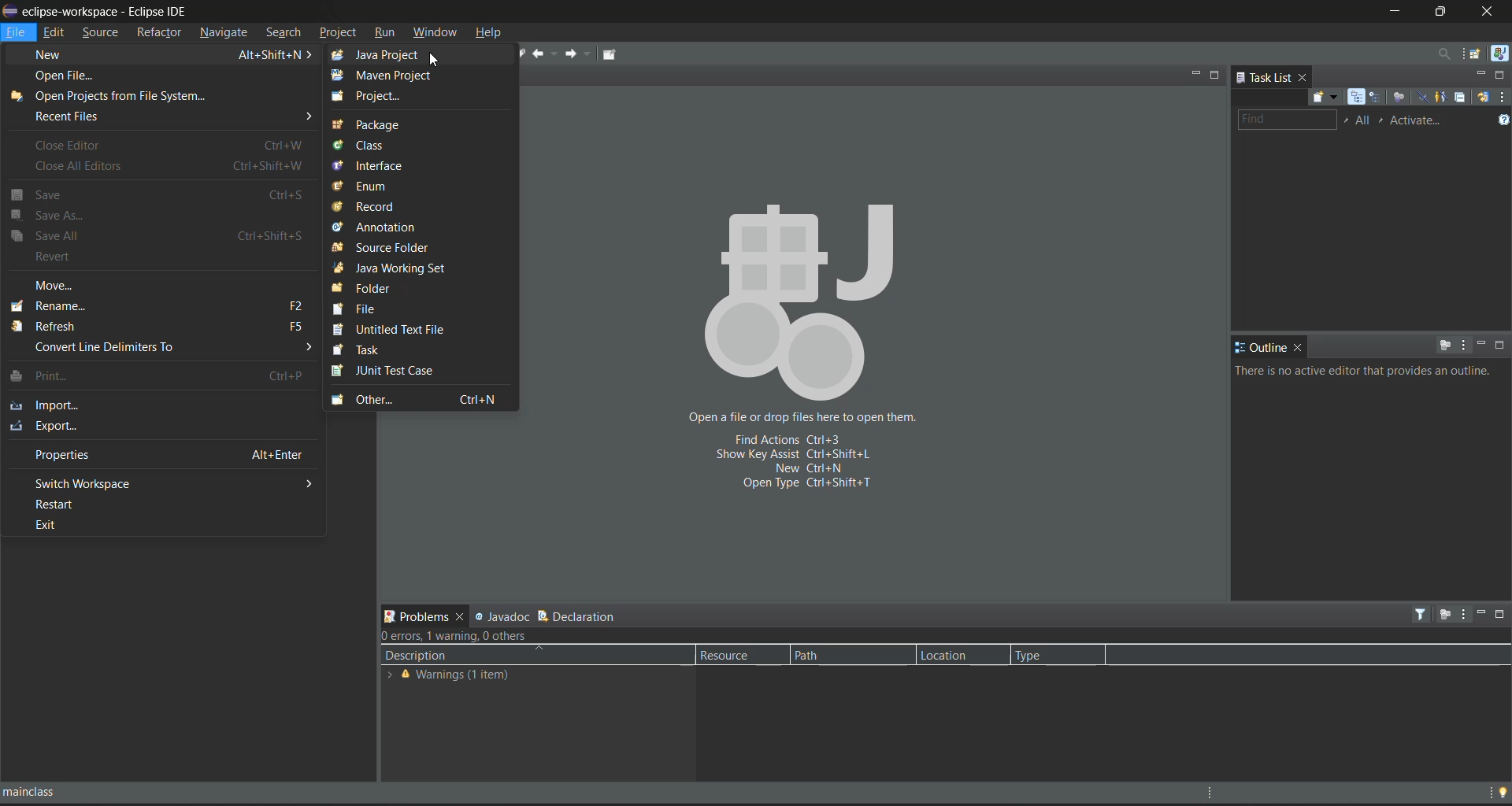 The width and height of the screenshot is (1512, 806). What do you see at coordinates (1501, 345) in the screenshot?
I see `maximize` at bounding box center [1501, 345].